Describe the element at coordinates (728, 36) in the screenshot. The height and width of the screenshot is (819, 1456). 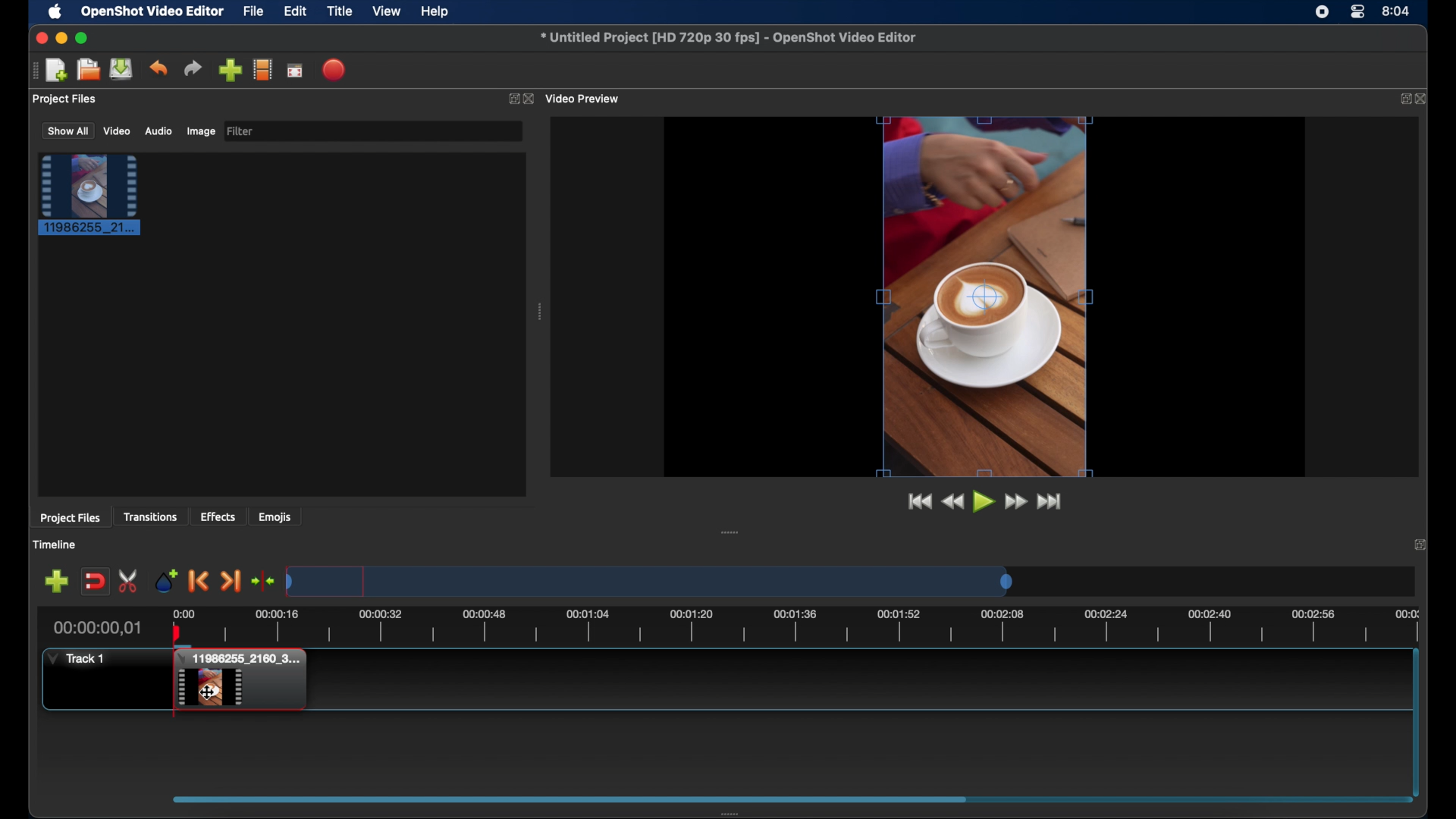
I see `file name` at that location.